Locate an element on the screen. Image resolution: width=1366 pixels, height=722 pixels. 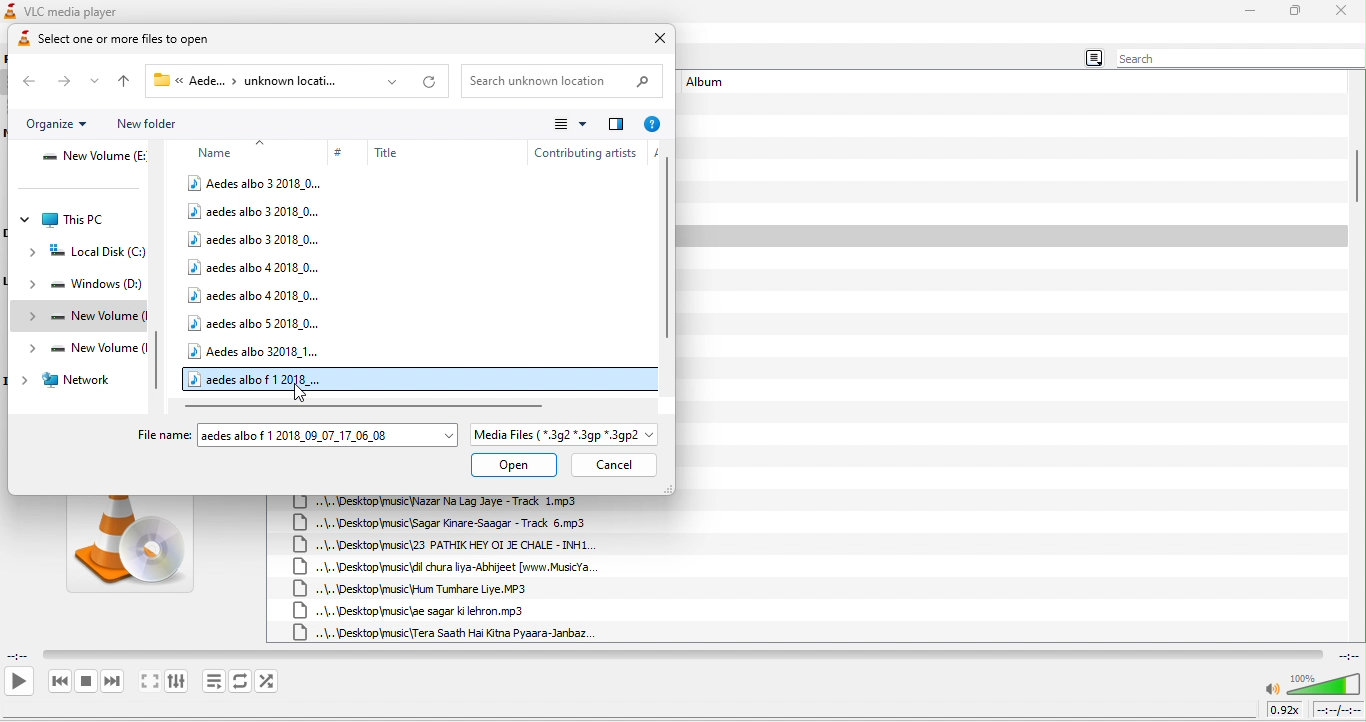
change your view is located at coordinates (616, 122).